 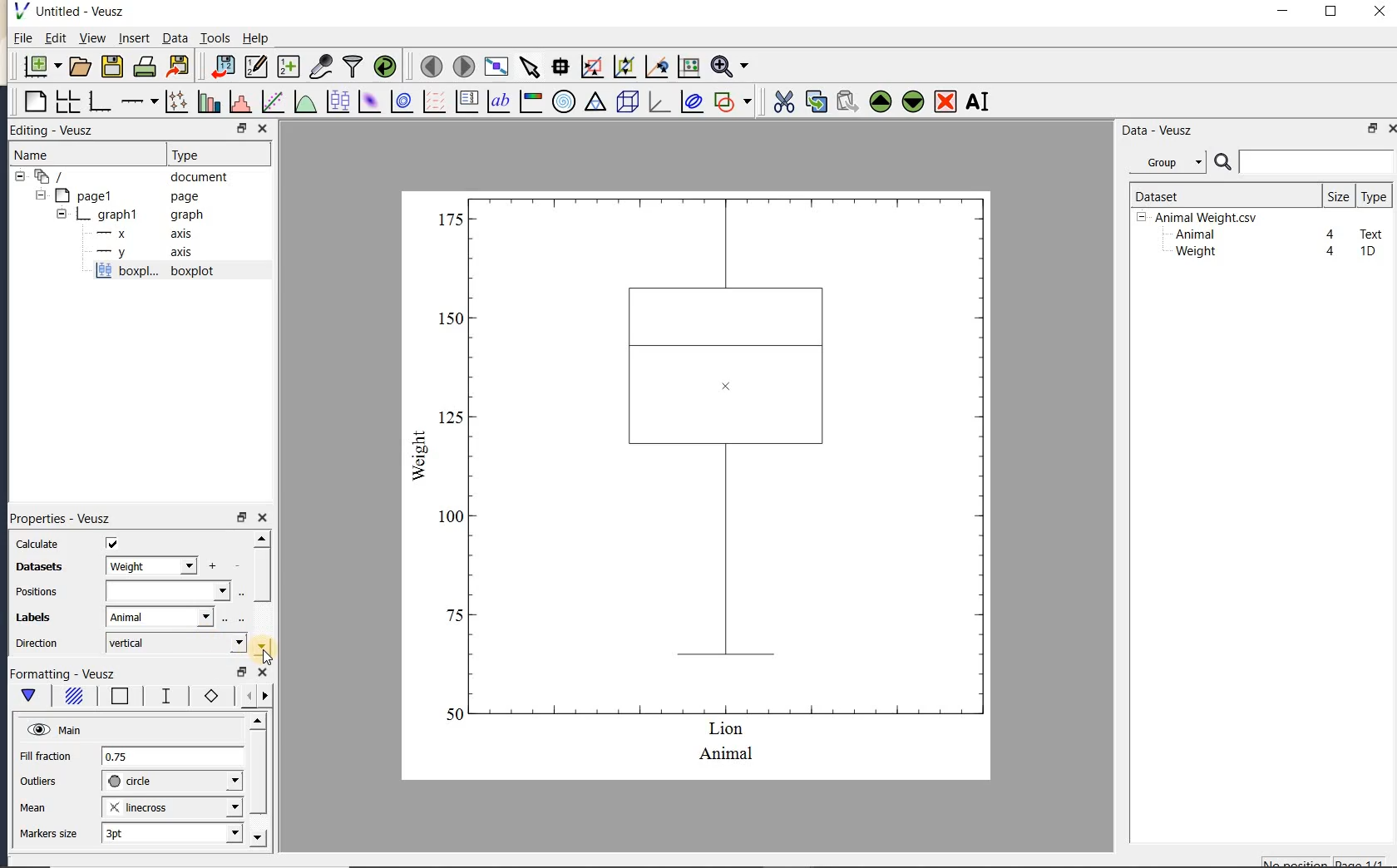 I want to click on axis, so click(x=141, y=253).